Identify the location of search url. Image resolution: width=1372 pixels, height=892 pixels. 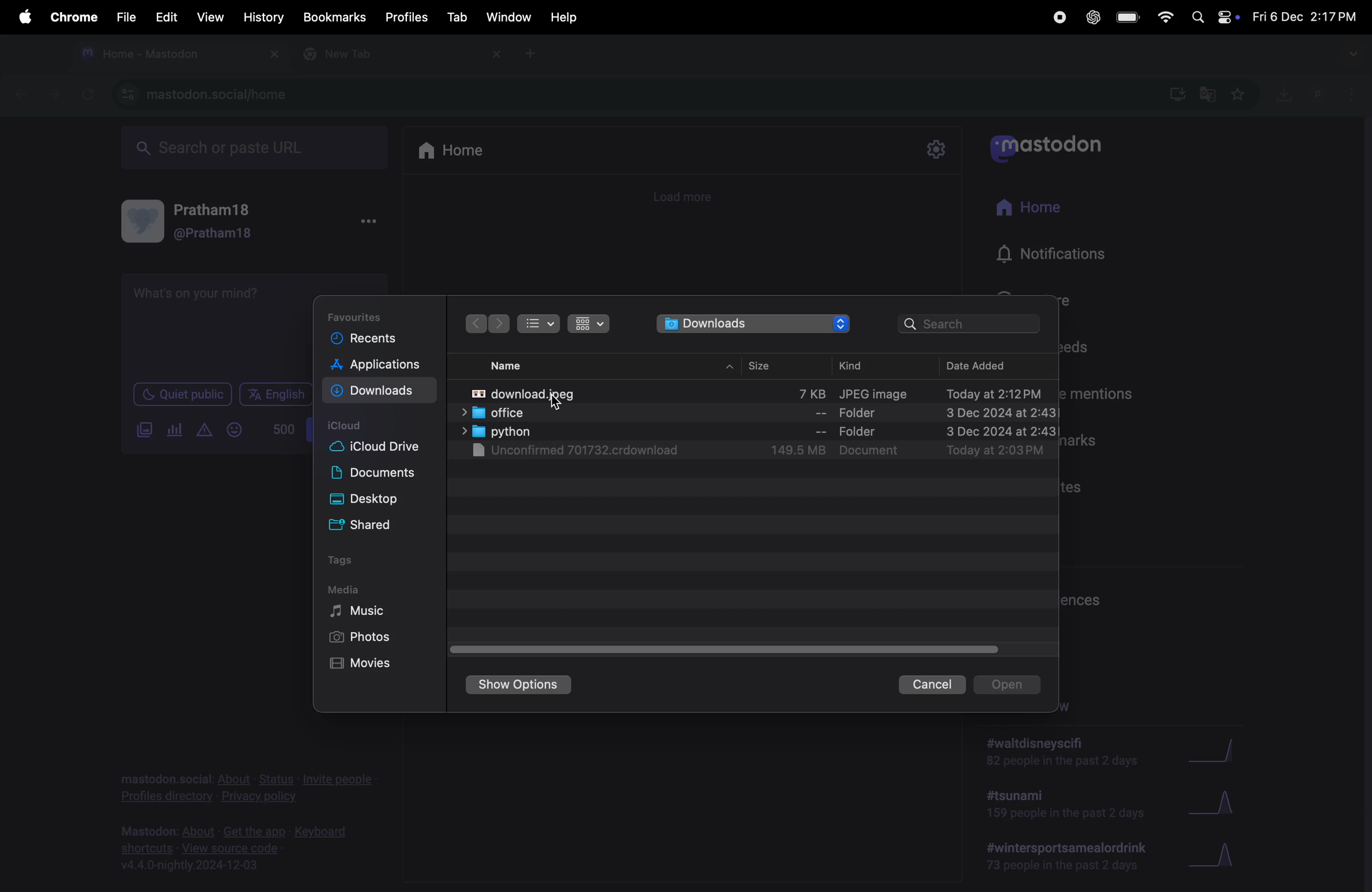
(256, 146).